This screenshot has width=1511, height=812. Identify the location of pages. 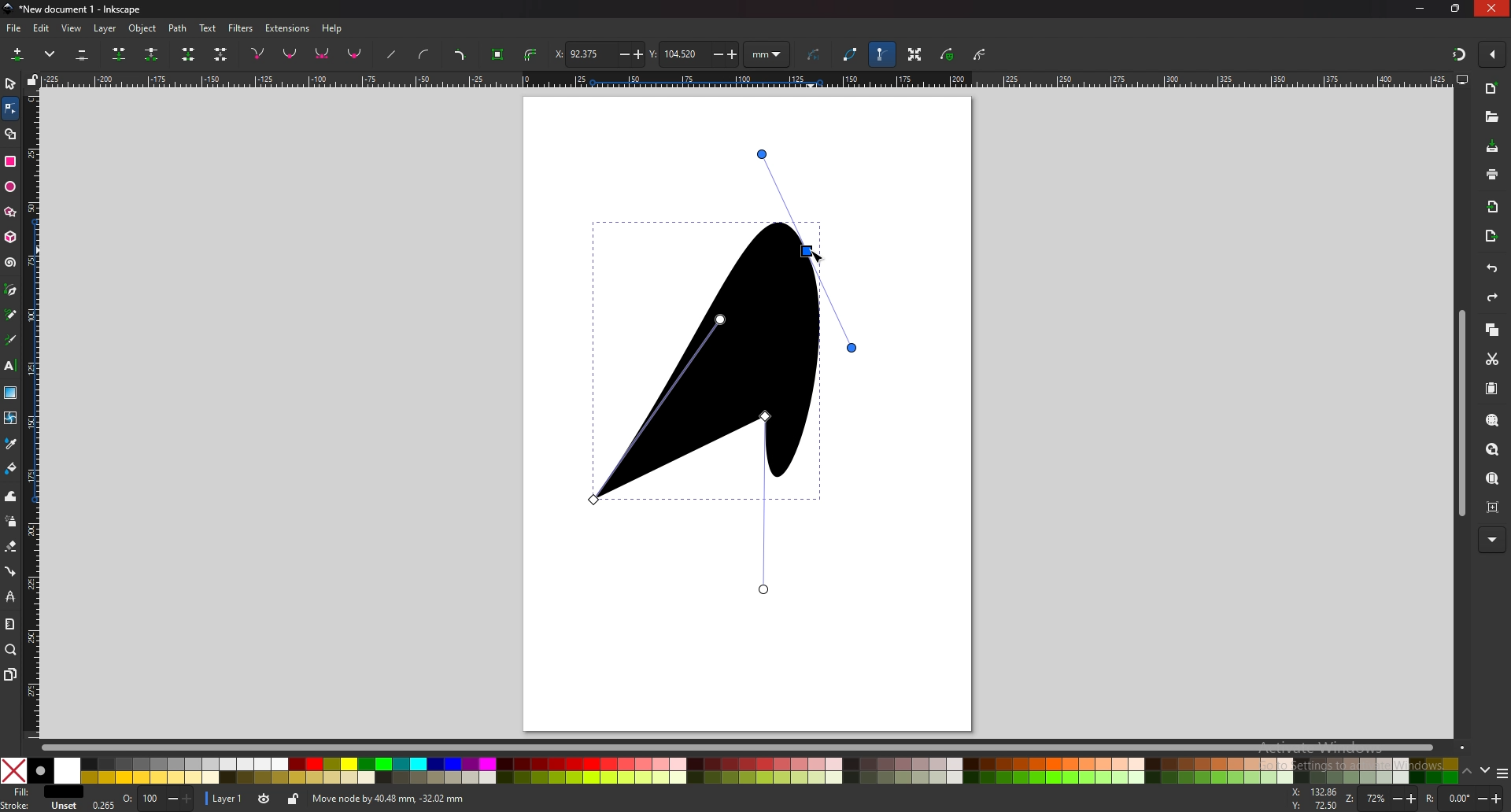
(10, 675).